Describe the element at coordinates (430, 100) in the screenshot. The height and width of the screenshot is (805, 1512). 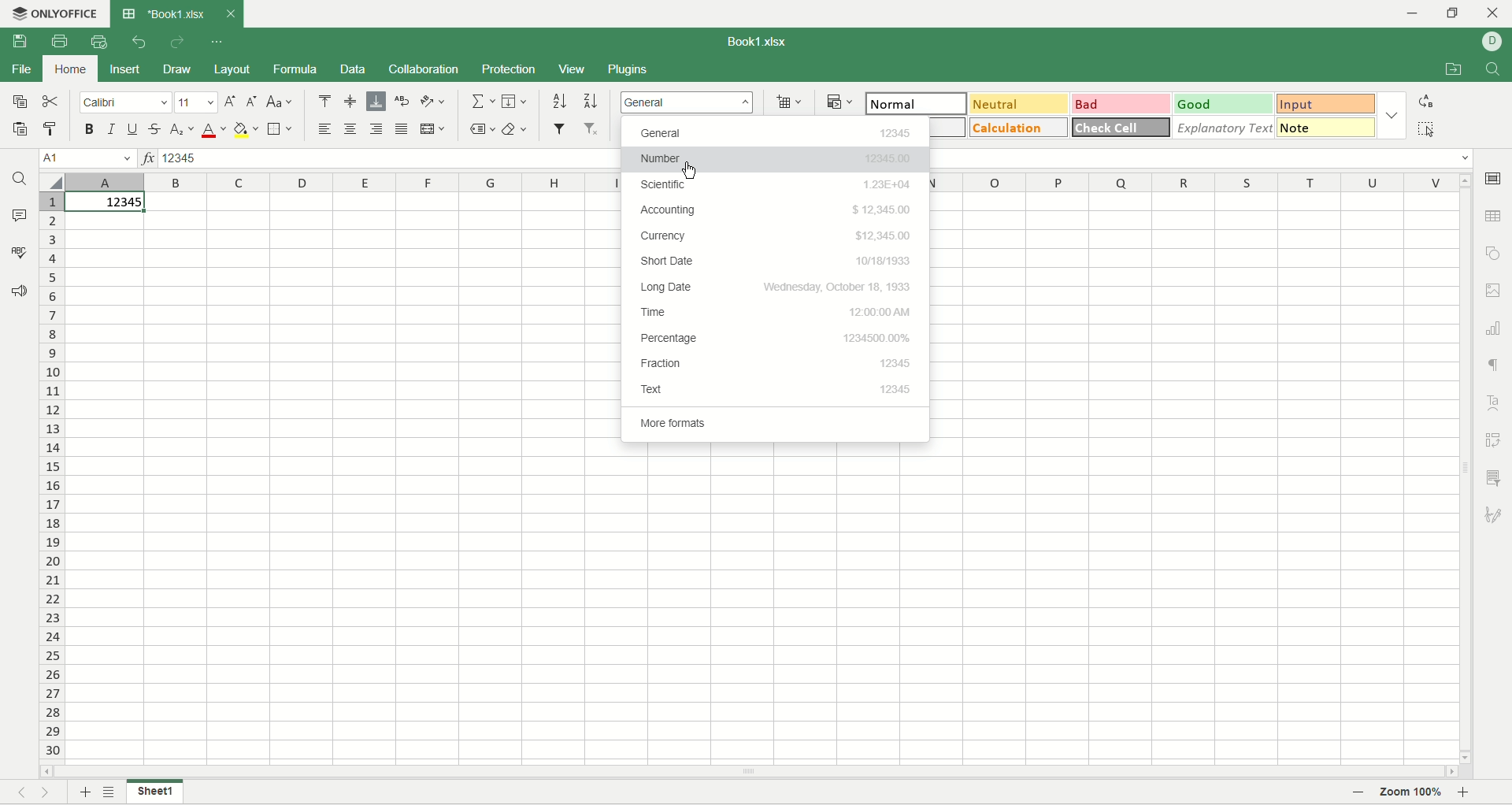
I see `orientation` at that location.